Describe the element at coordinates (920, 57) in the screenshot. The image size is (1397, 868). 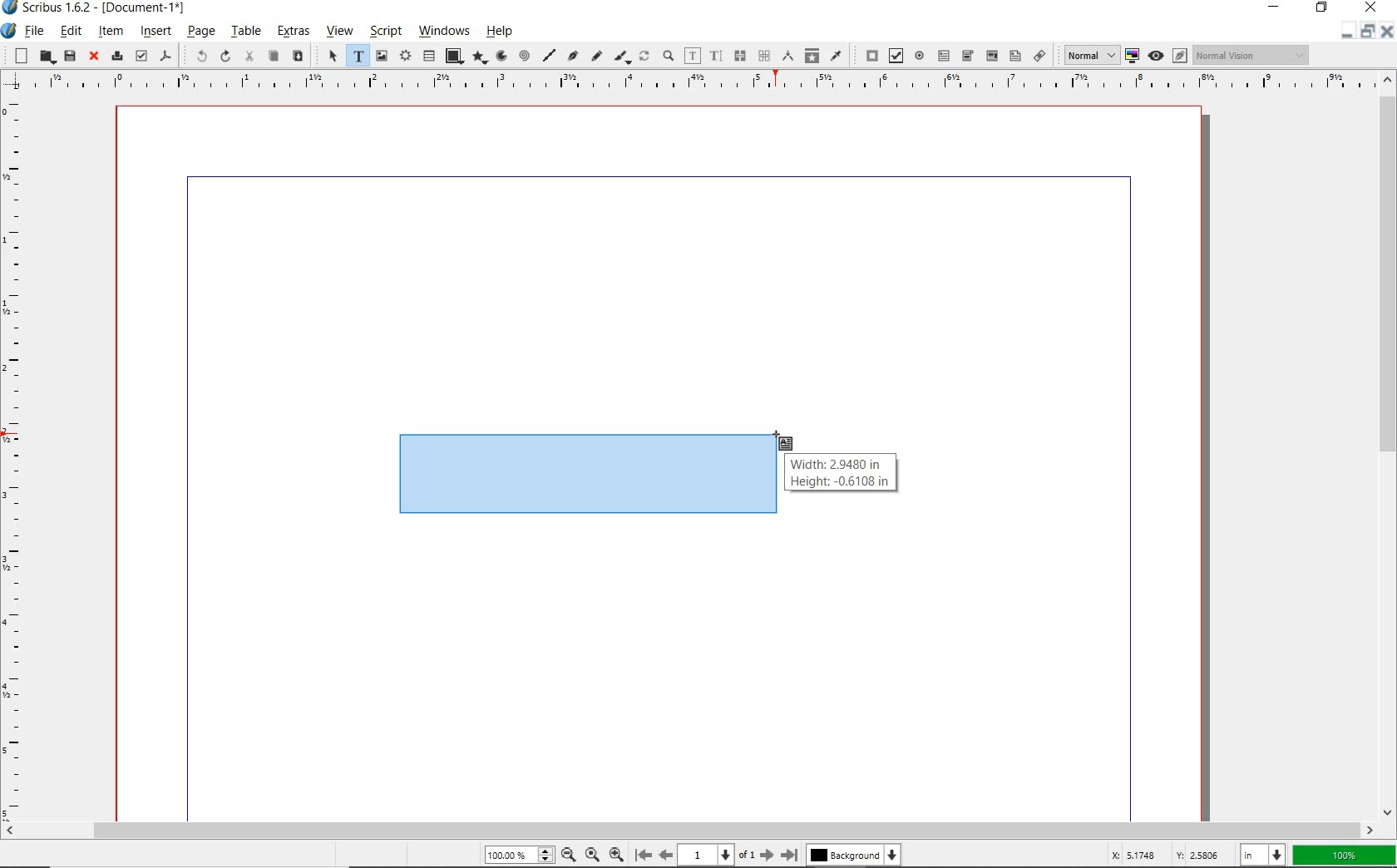
I see `pdf radio button` at that location.